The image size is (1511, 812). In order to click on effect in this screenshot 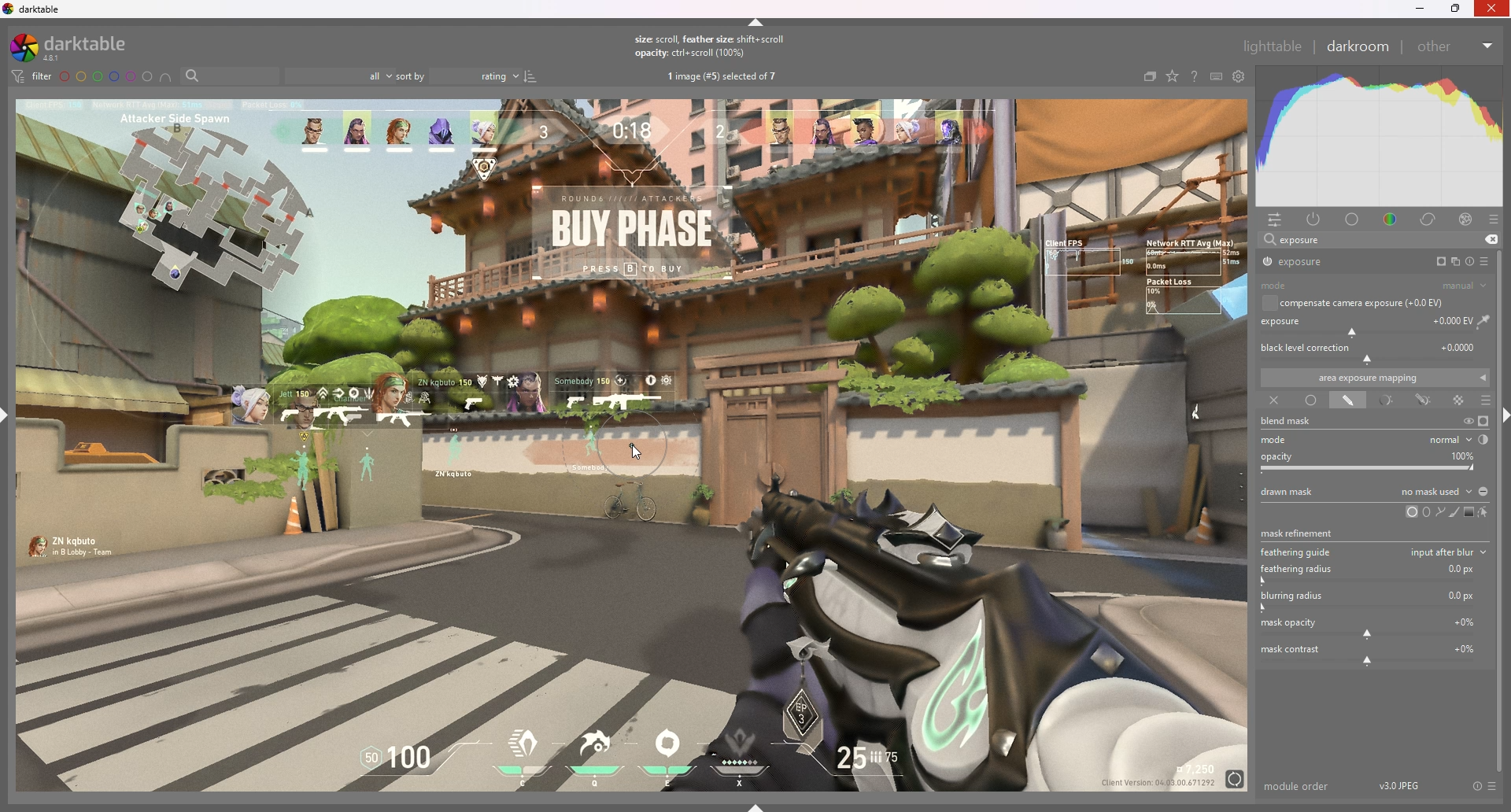, I will do `click(1466, 220)`.